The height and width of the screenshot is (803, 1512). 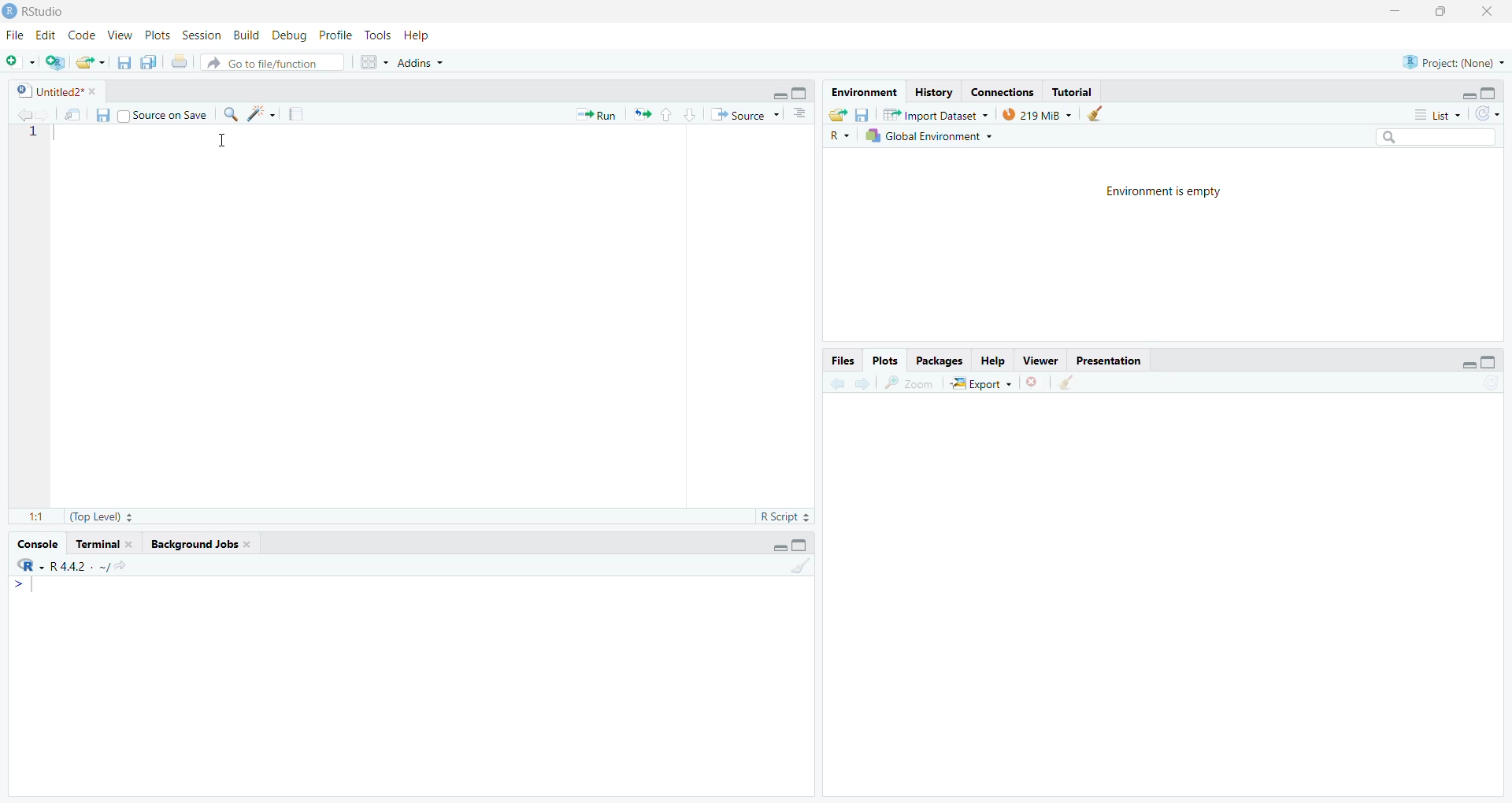 What do you see at coordinates (1490, 361) in the screenshot?
I see `Full Height` at bounding box center [1490, 361].